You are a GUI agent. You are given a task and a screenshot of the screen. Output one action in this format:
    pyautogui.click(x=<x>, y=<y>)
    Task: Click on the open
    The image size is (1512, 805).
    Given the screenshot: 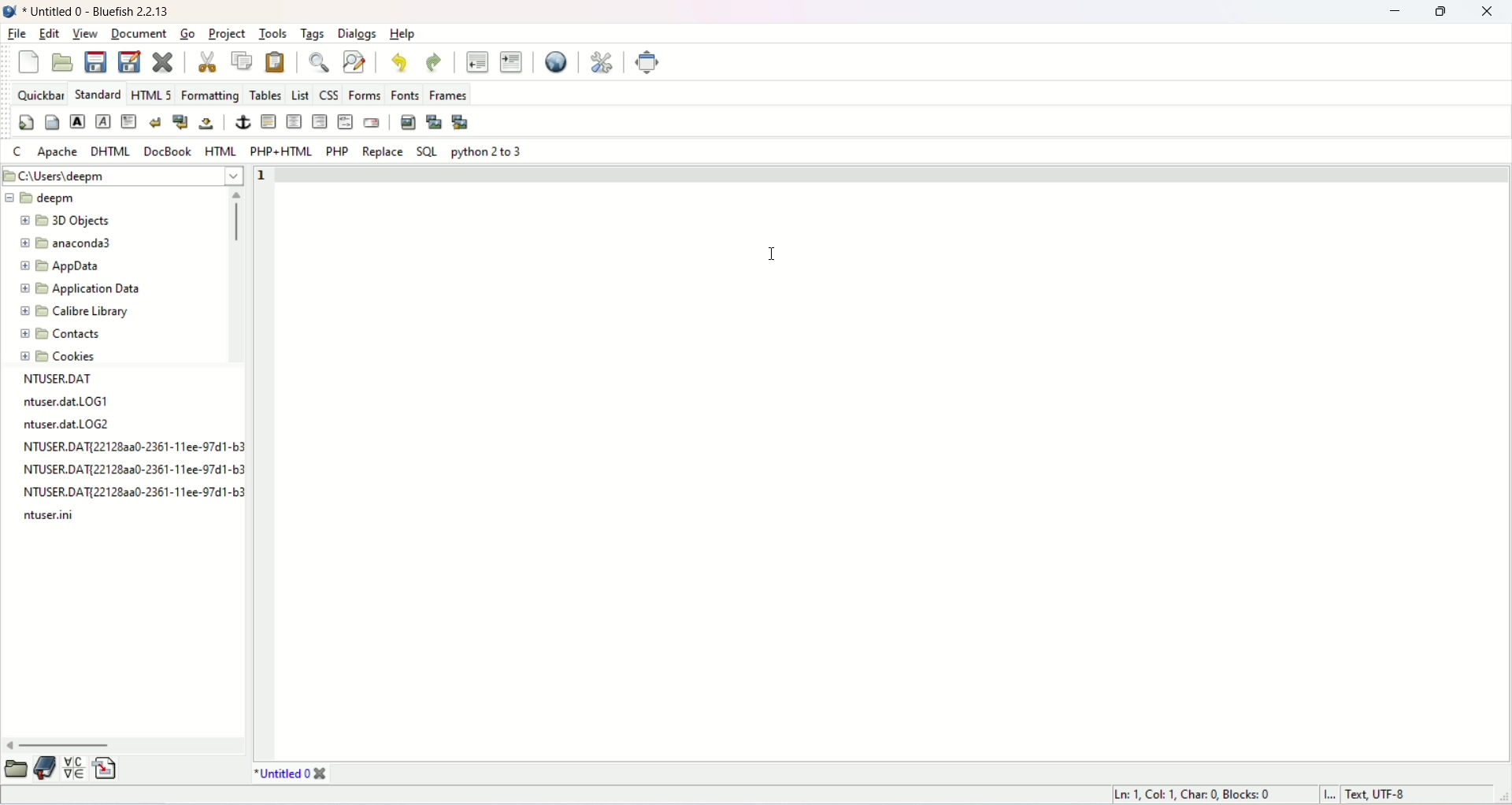 What is the action you would take?
    pyautogui.click(x=63, y=65)
    